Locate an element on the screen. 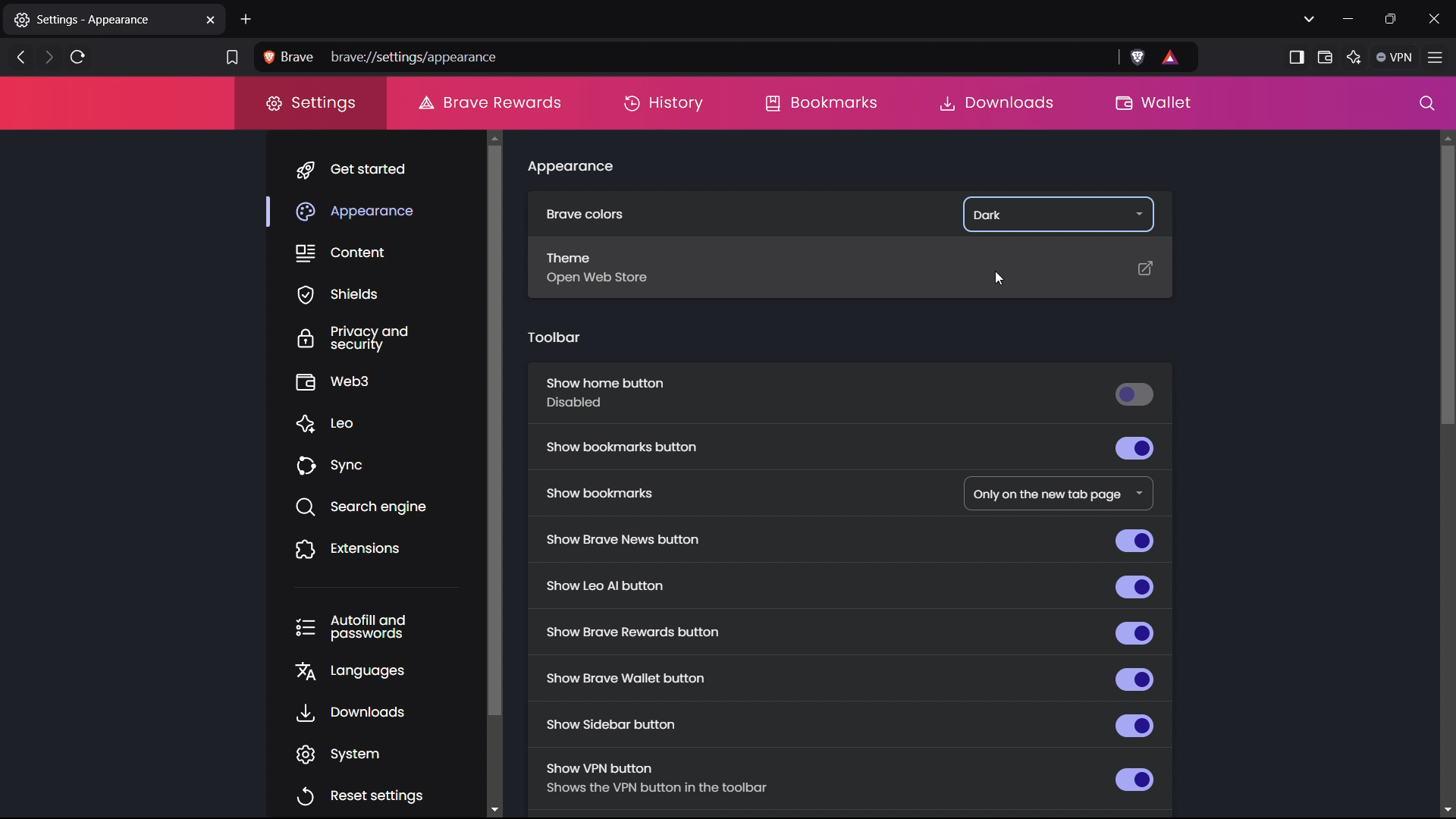 This screenshot has height=819, width=1456. Brave colors is located at coordinates (632, 218).